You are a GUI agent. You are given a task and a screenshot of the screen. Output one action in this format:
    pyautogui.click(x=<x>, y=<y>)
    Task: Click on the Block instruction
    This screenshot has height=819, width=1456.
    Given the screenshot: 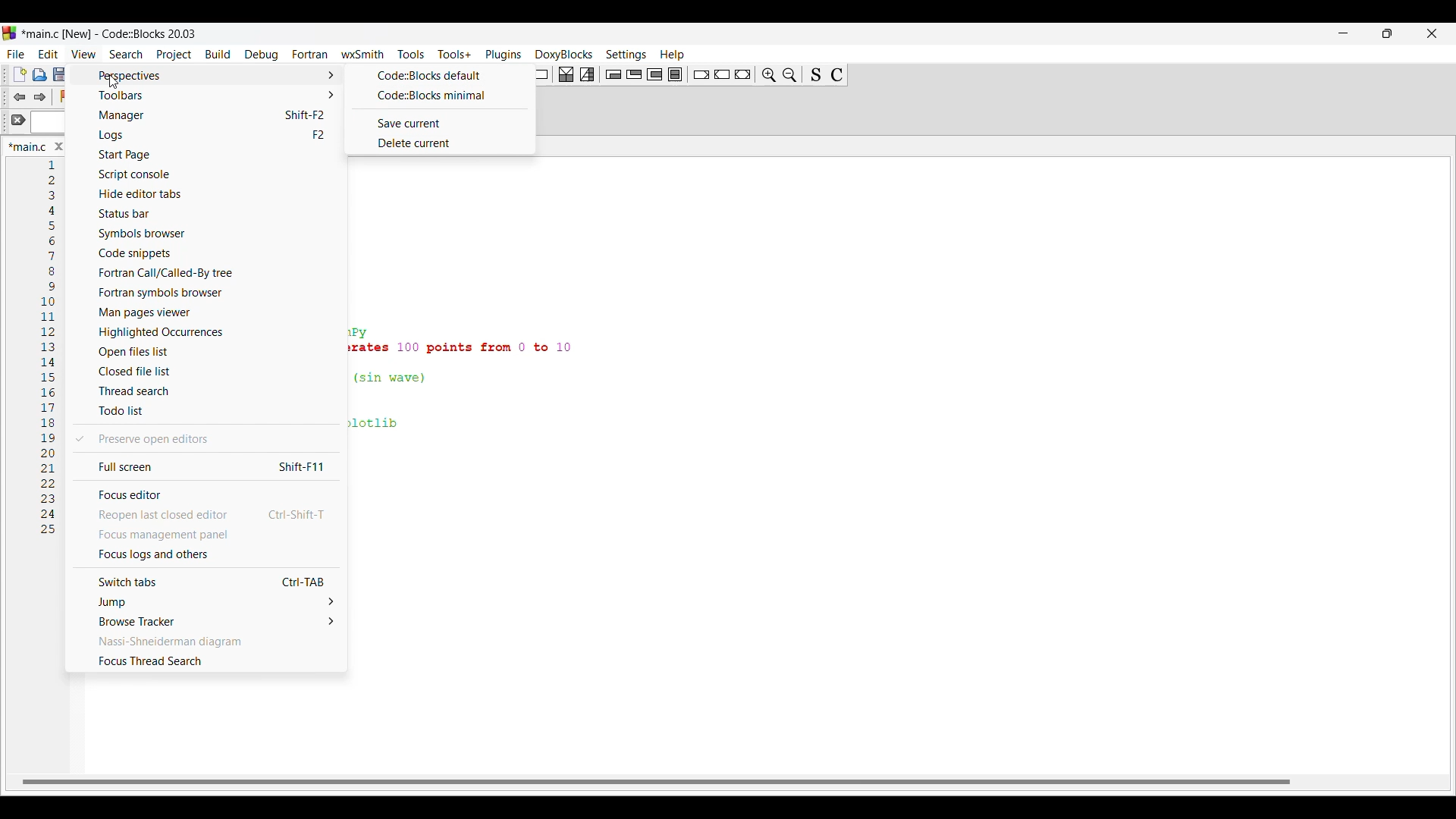 What is the action you would take?
    pyautogui.click(x=675, y=74)
    